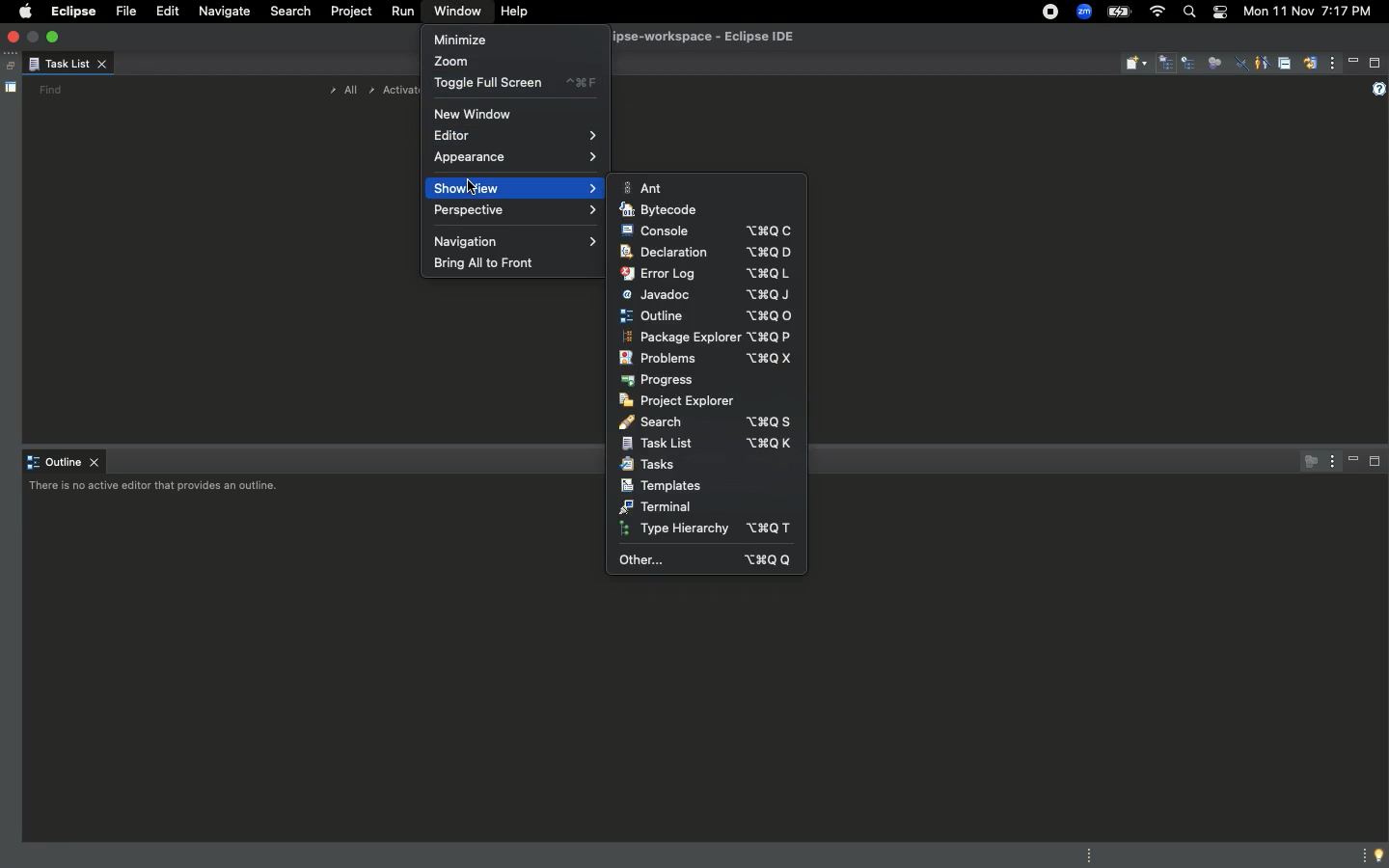 The height and width of the screenshot is (868, 1389). Describe the element at coordinates (1329, 460) in the screenshot. I see `View menu` at that location.